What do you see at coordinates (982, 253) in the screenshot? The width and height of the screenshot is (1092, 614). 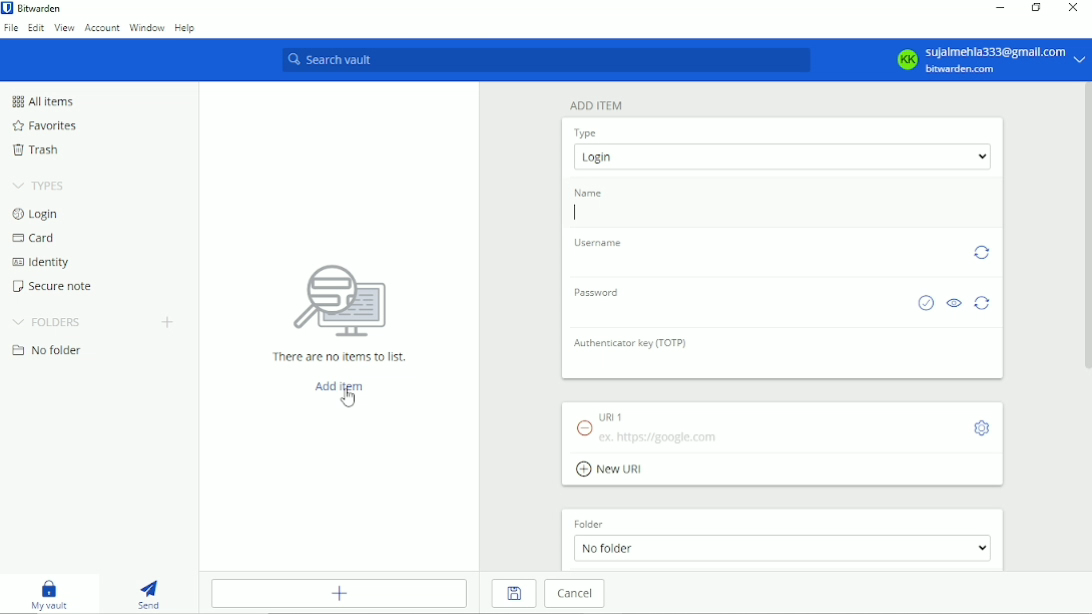 I see `Generate username` at bounding box center [982, 253].